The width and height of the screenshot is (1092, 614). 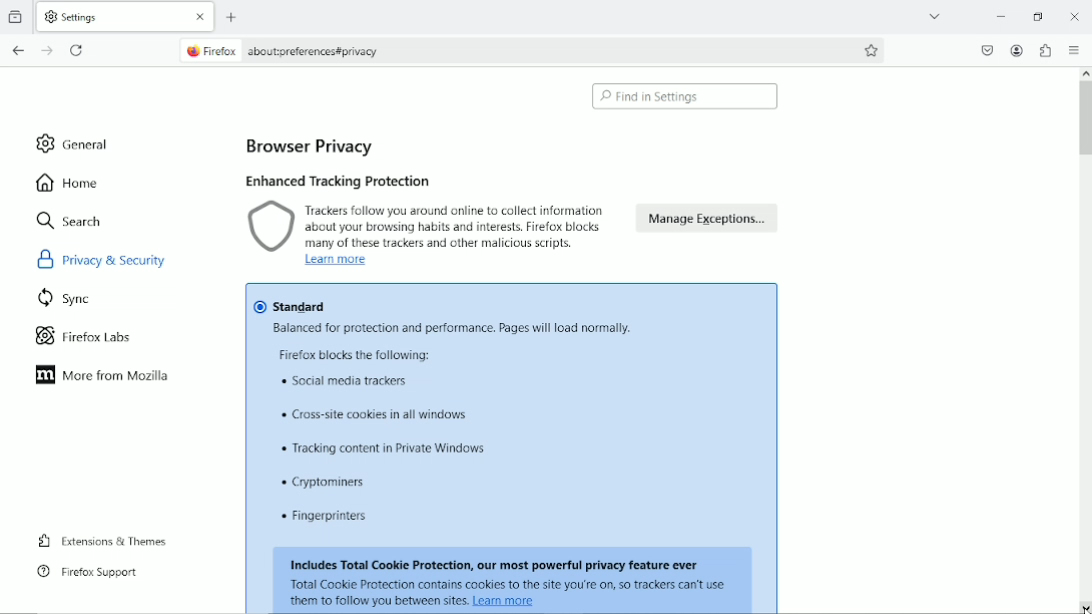 I want to click on text, so click(x=328, y=517).